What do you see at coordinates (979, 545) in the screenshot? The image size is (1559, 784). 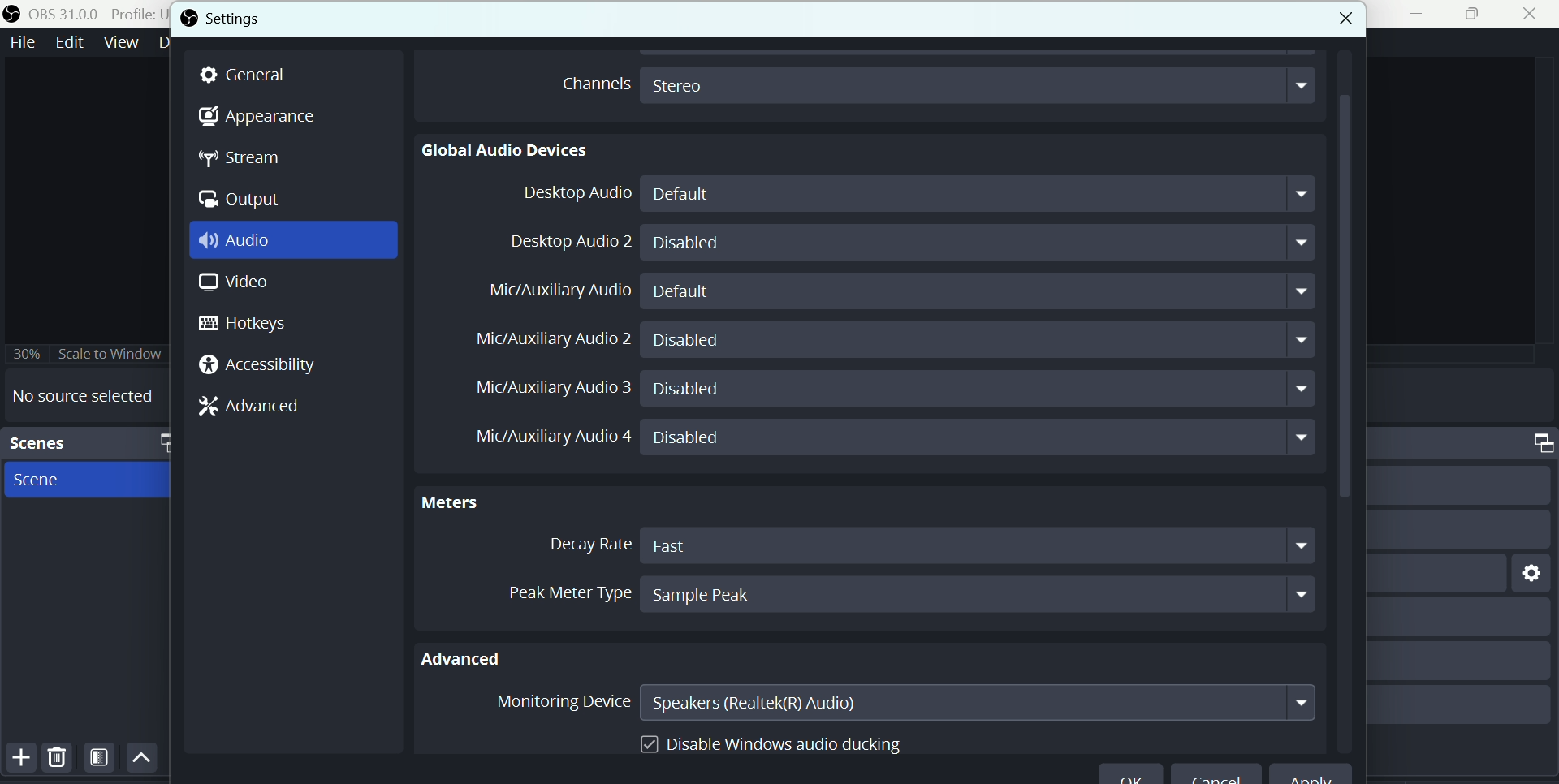 I see `Fast` at bounding box center [979, 545].